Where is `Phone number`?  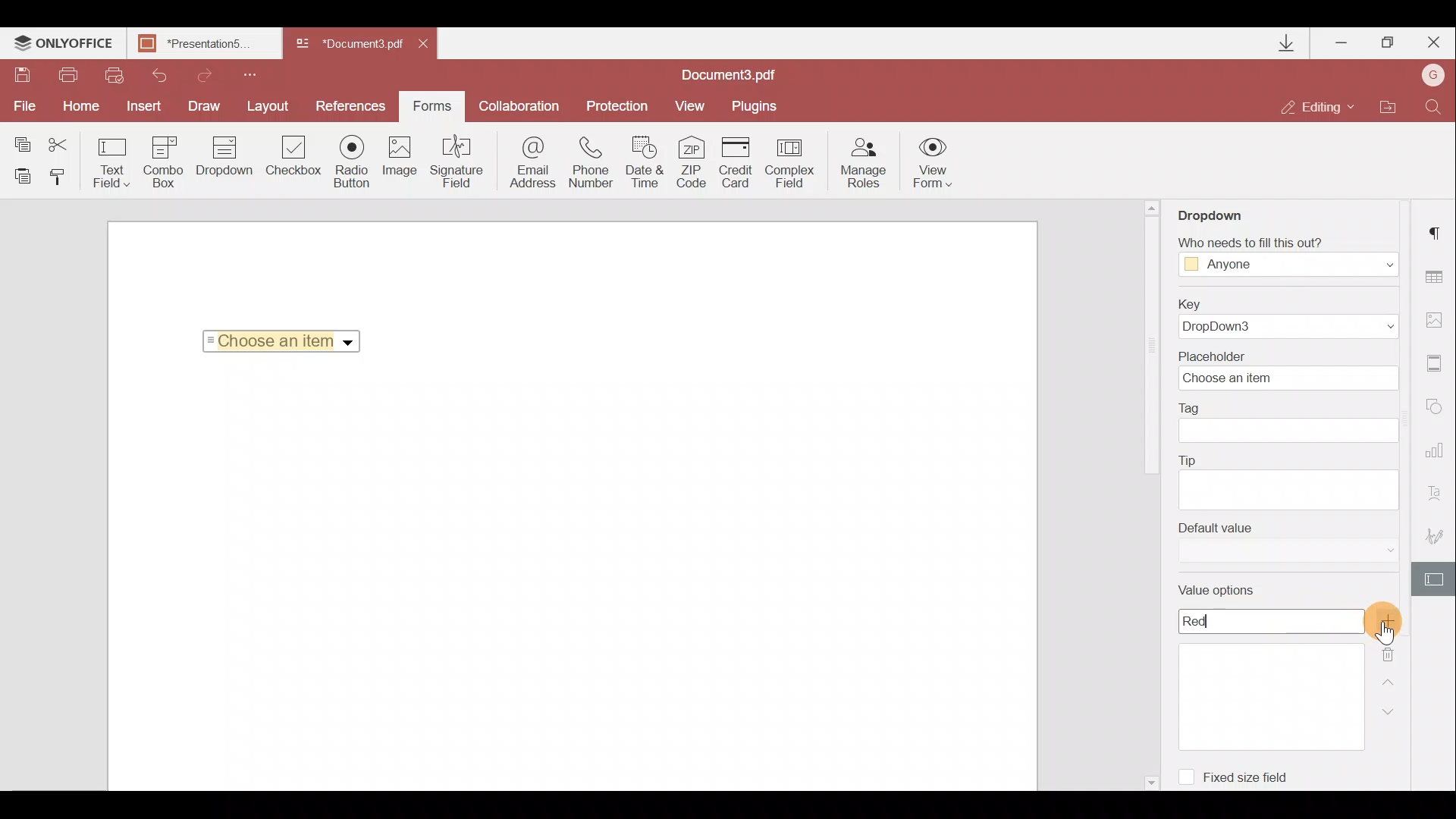 Phone number is located at coordinates (593, 162).